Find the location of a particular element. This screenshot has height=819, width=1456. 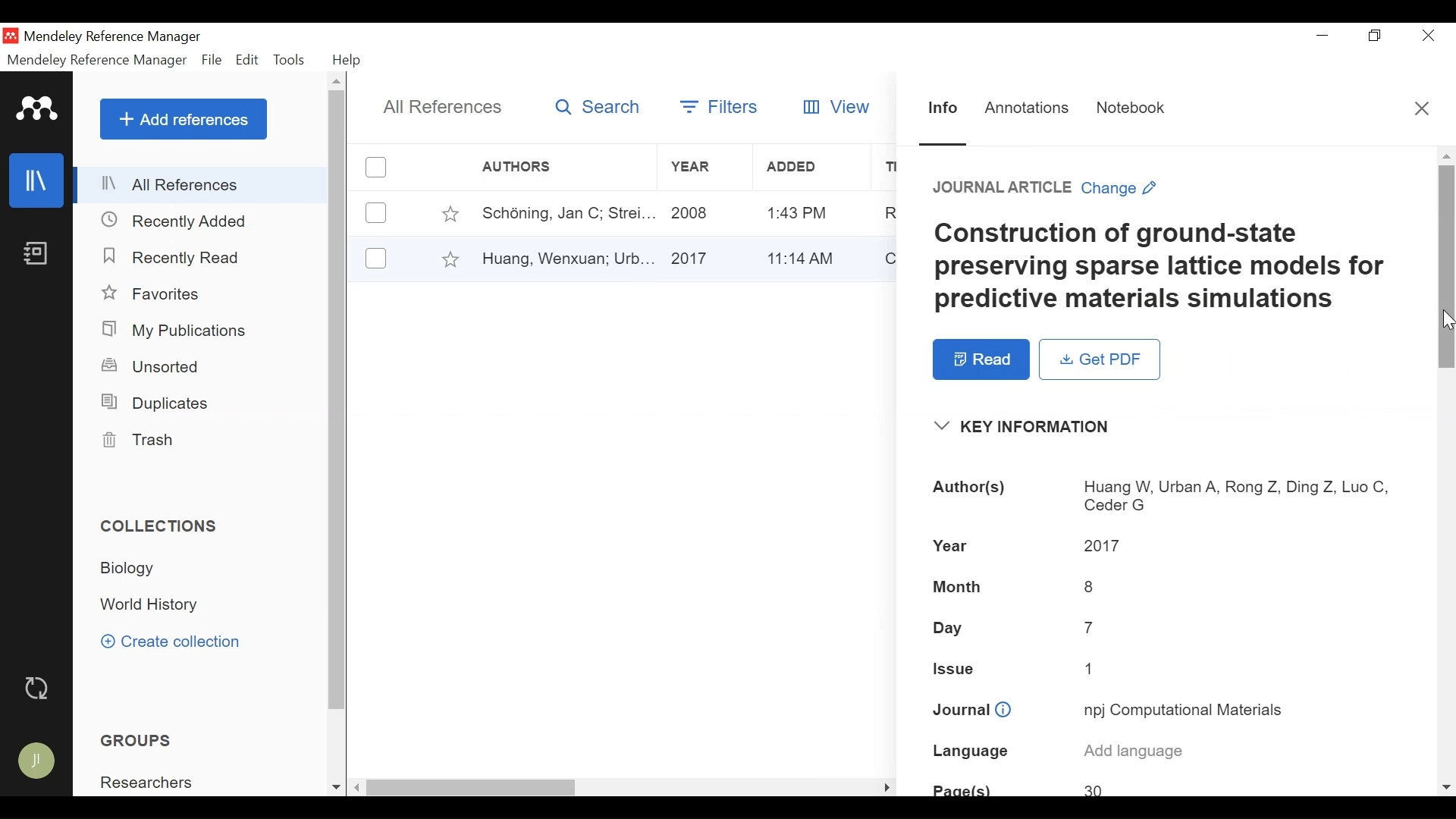

Collection is located at coordinates (133, 568).